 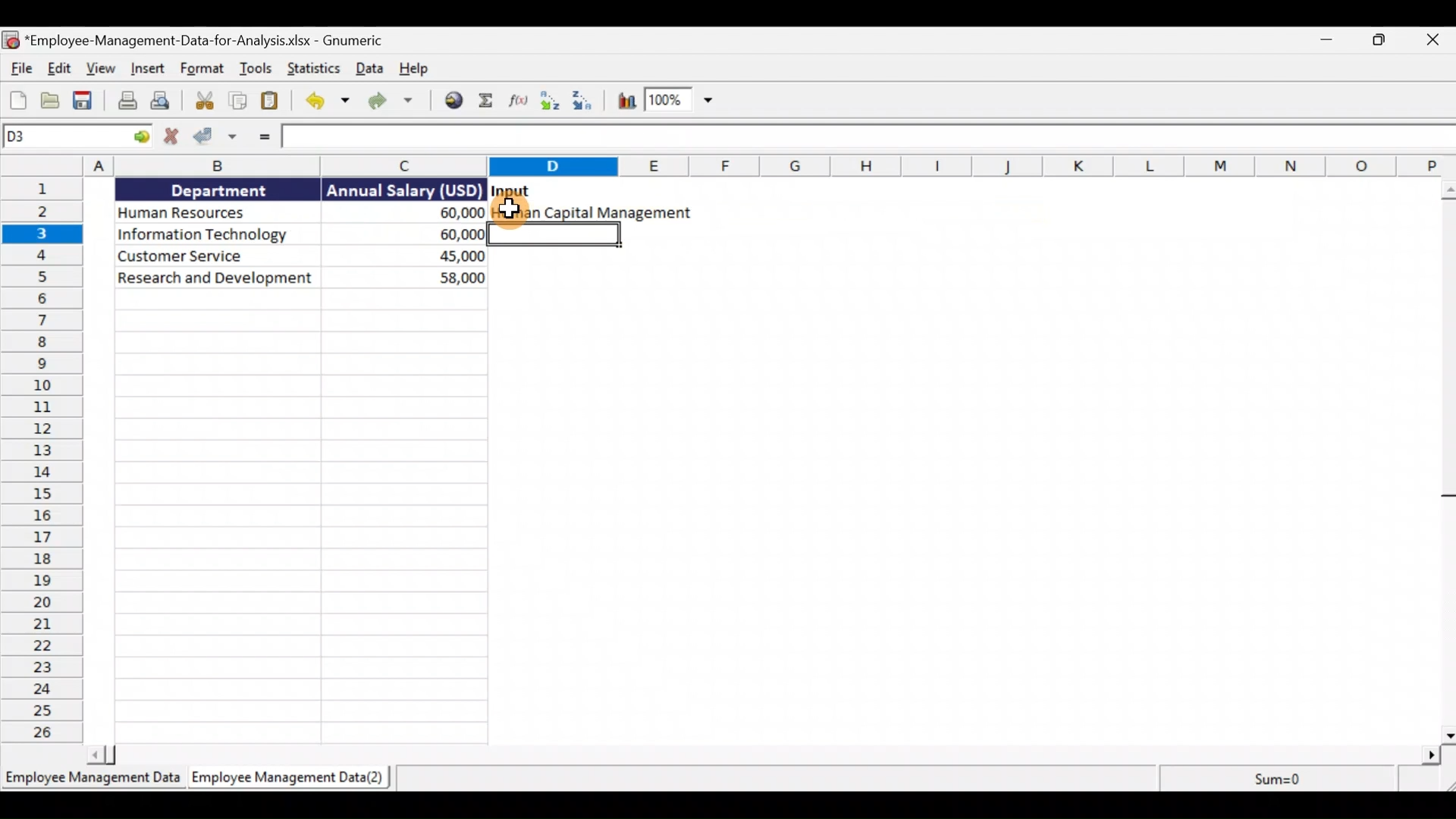 What do you see at coordinates (325, 102) in the screenshot?
I see `Undo last action` at bounding box center [325, 102].